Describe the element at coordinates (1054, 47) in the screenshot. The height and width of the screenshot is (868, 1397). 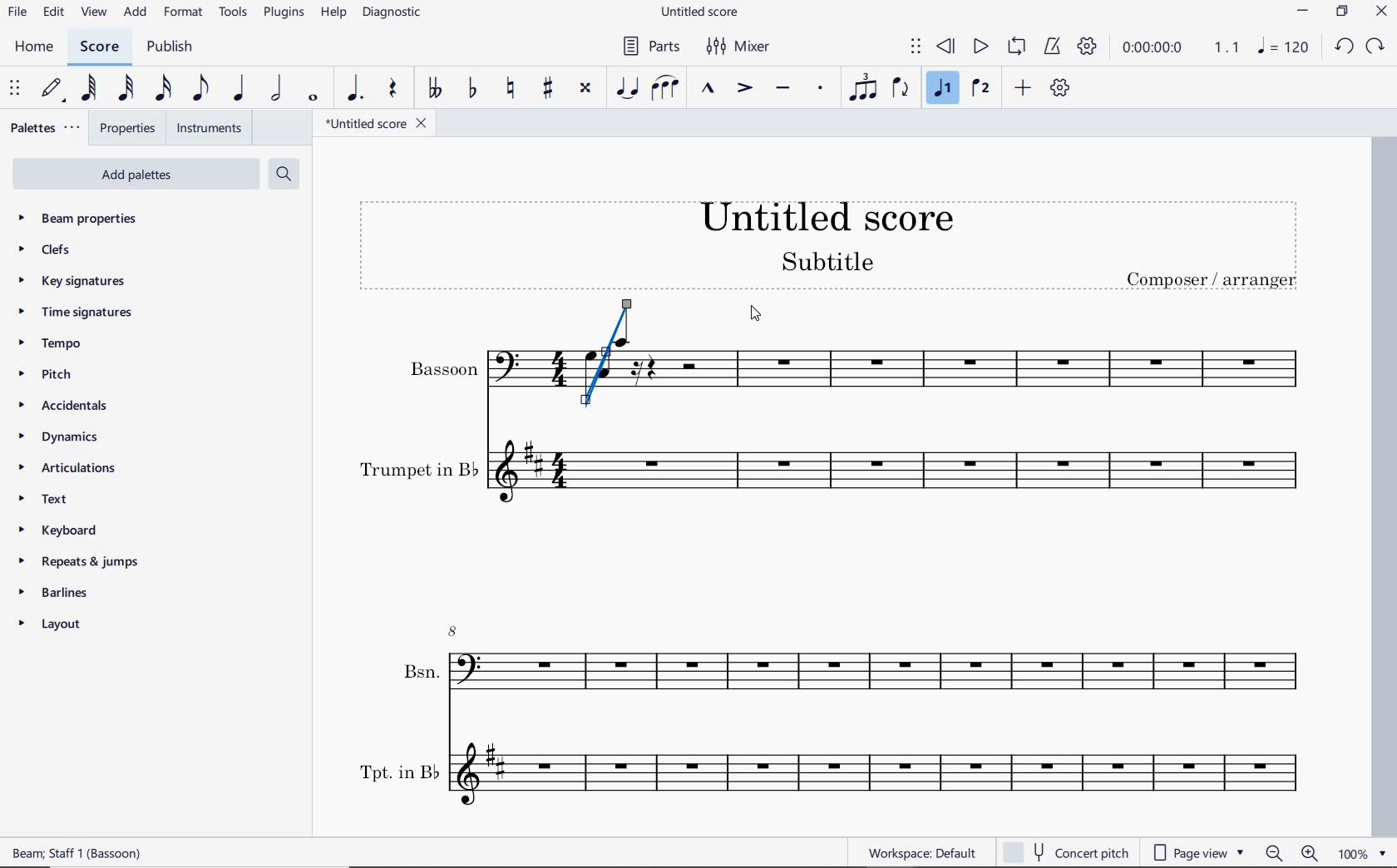
I see `metronome` at that location.